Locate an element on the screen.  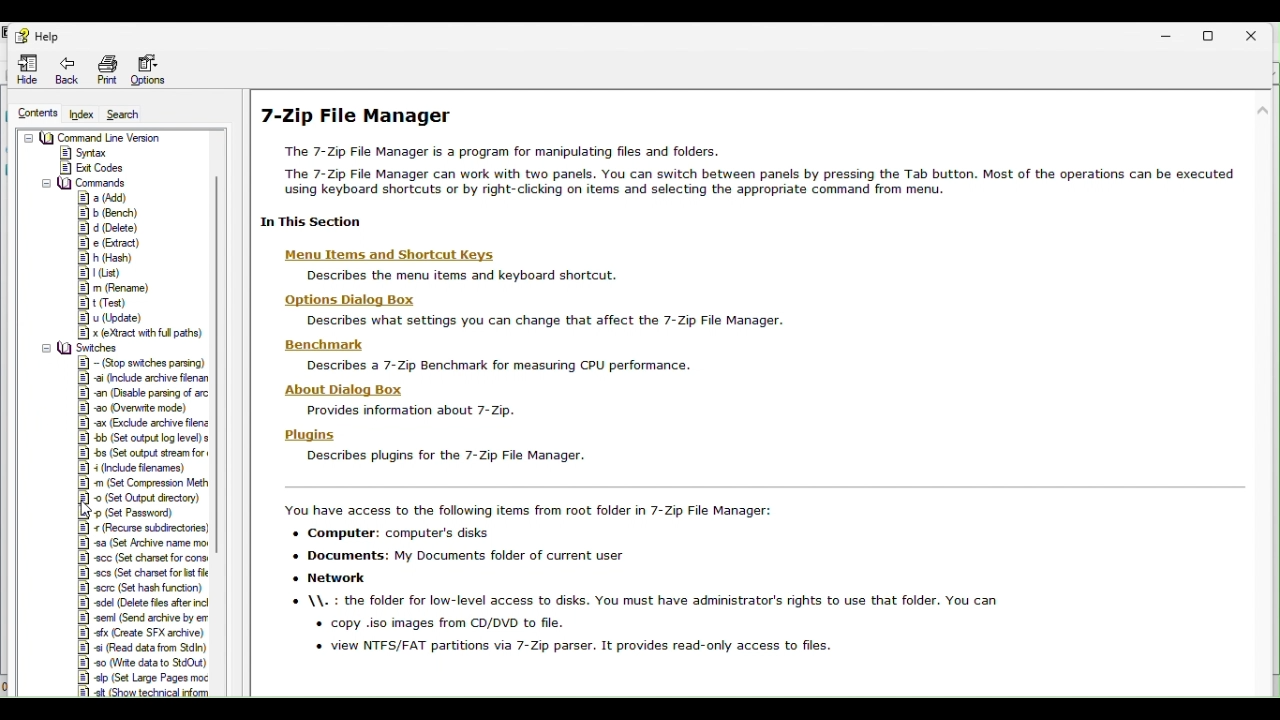
 is located at coordinates (103, 71).